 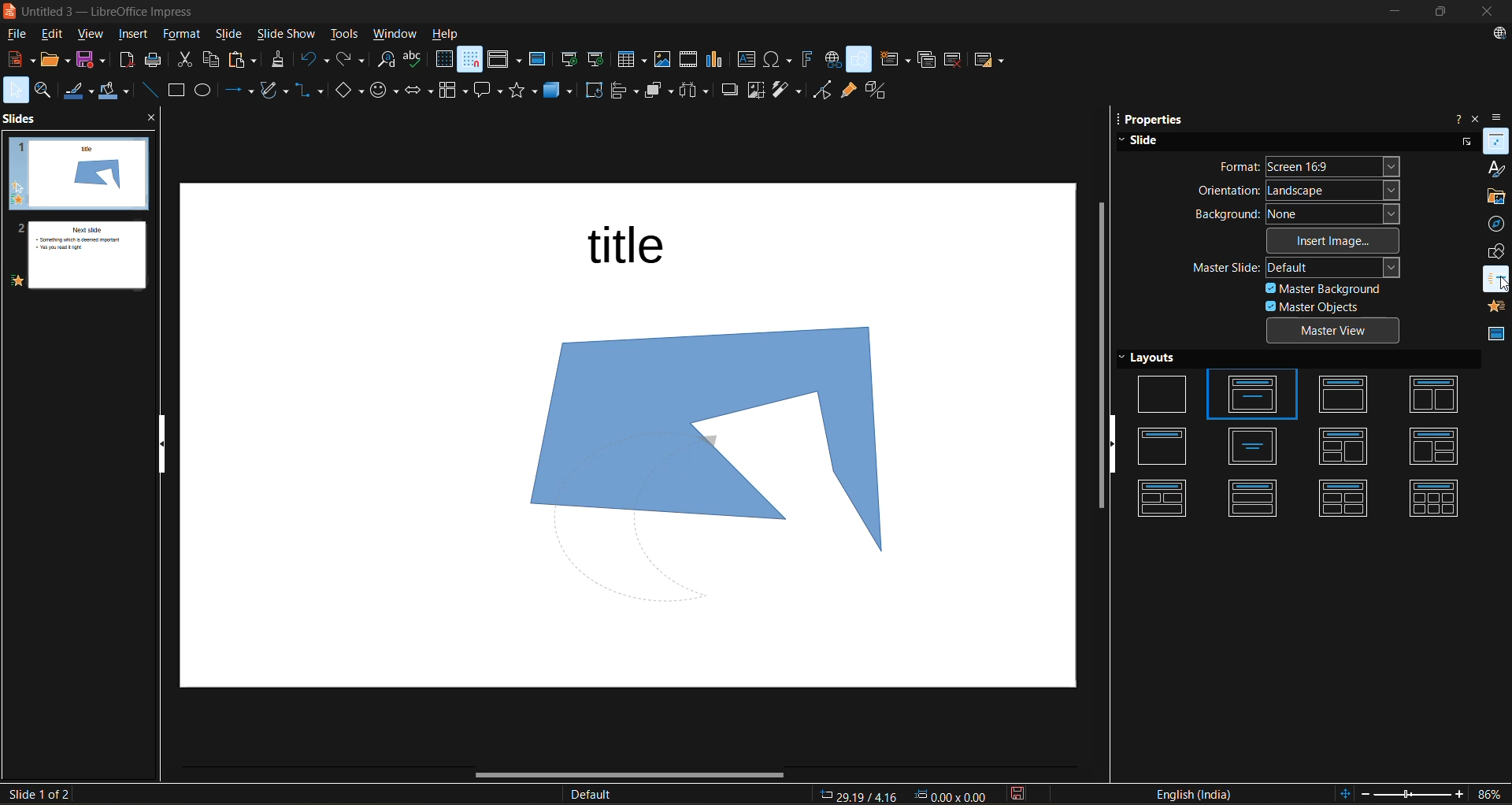 What do you see at coordinates (1016, 796) in the screenshot?
I see `click to save` at bounding box center [1016, 796].